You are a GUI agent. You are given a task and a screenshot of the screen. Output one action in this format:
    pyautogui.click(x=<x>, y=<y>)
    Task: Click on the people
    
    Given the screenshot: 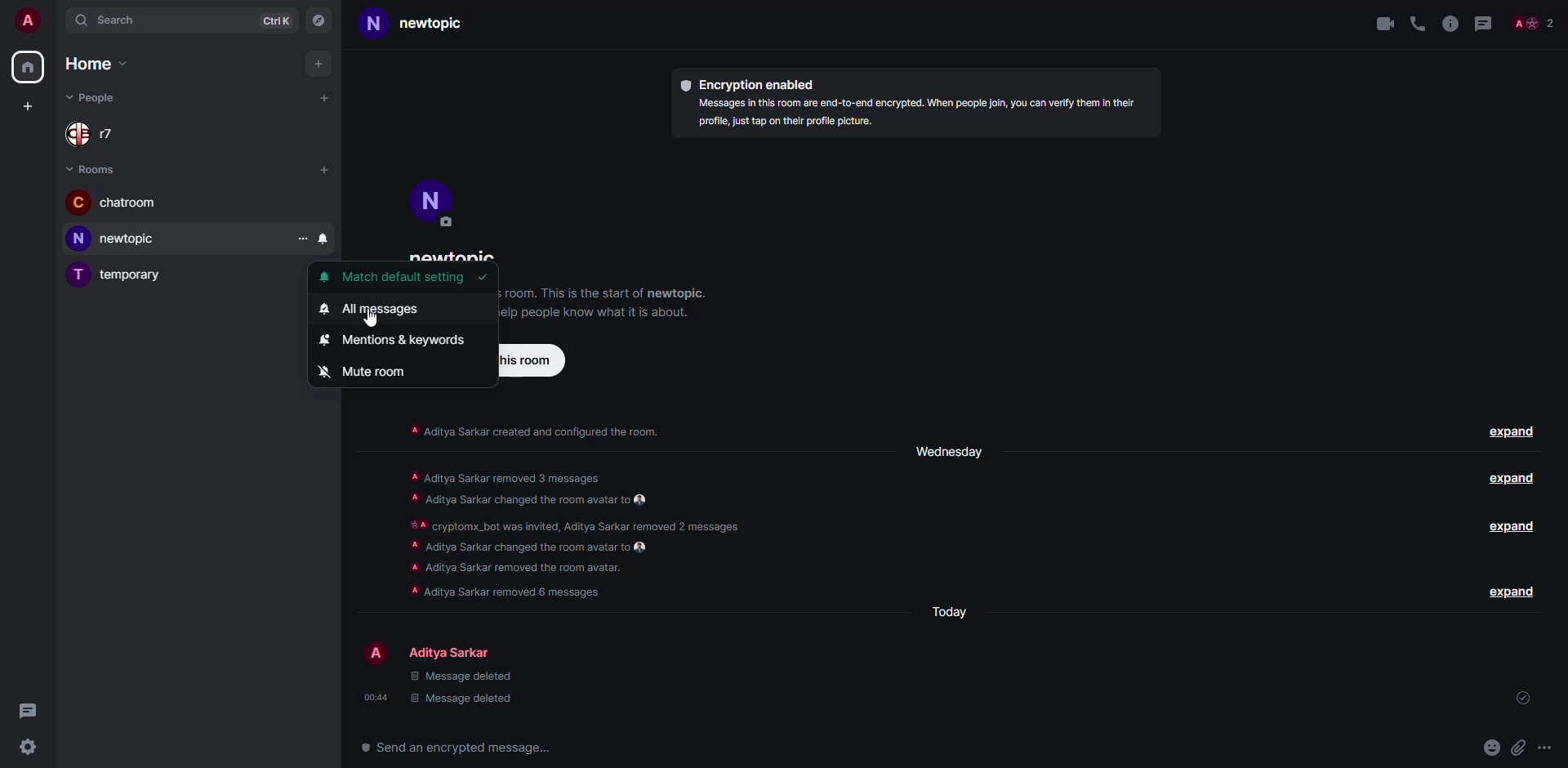 What is the action you would take?
    pyautogui.click(x=96, y=135)
    